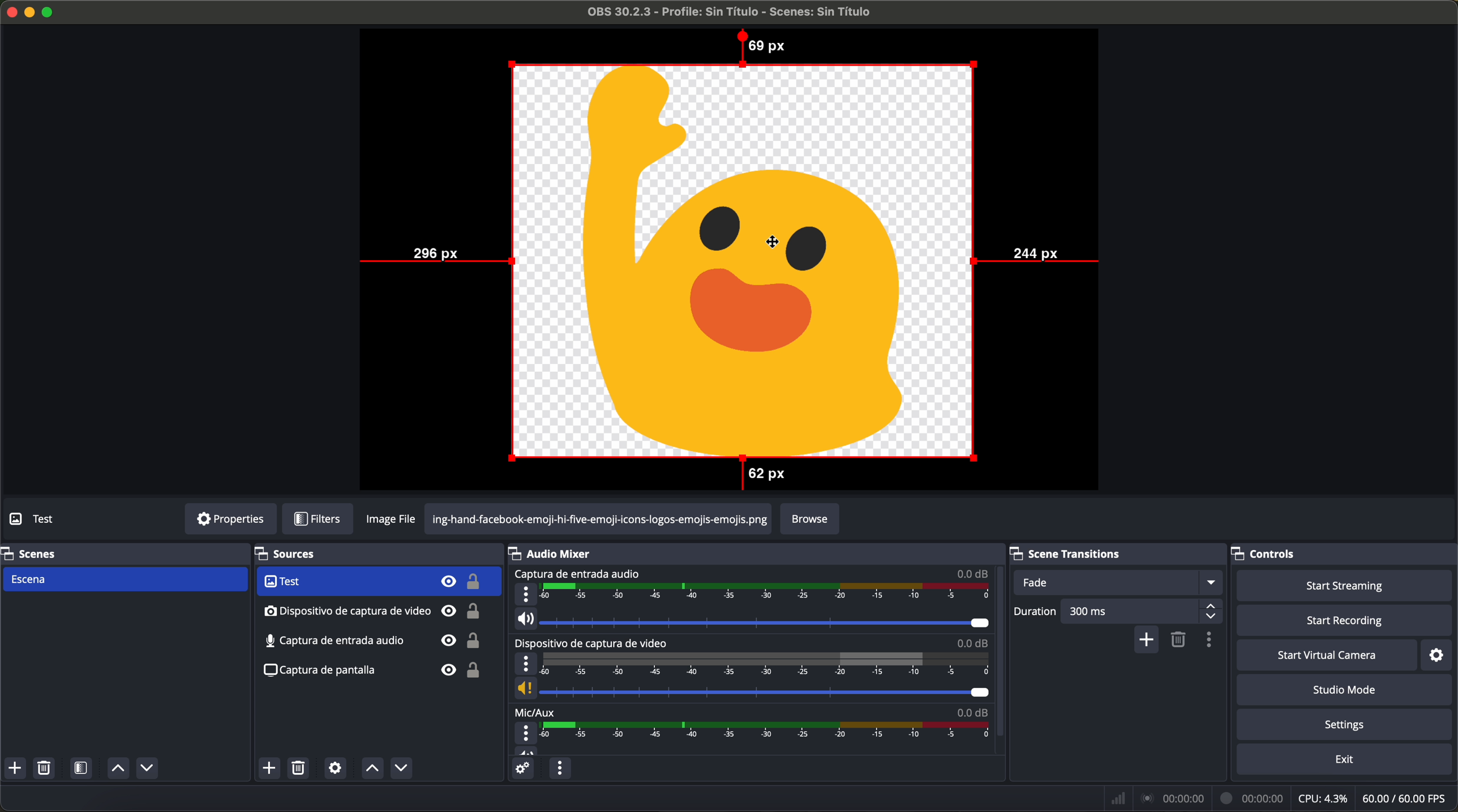 This screenshot has height=812, width=1458. Describe the element at coordinates (1346, 761) in the screenshot. I see `exit` at that location.